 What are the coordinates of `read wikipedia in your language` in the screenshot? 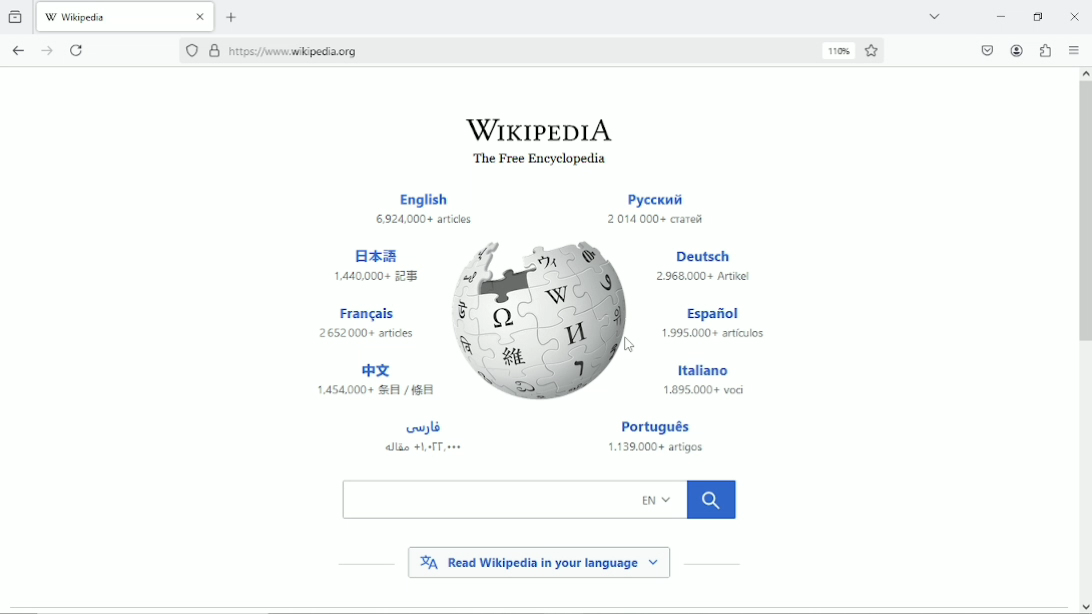 It's located at (539, 561).